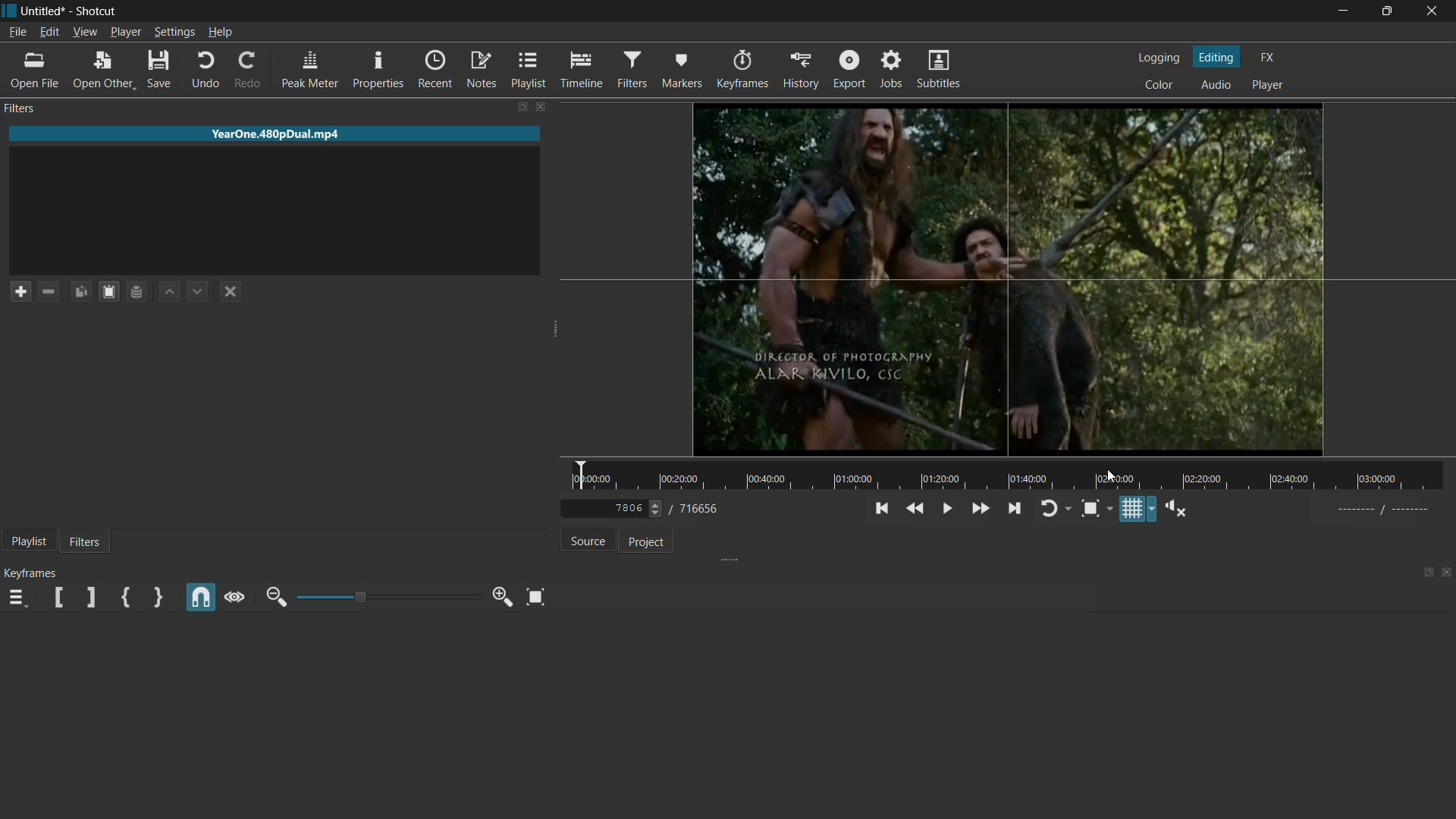  I want to click on player, so click(1268, 85).